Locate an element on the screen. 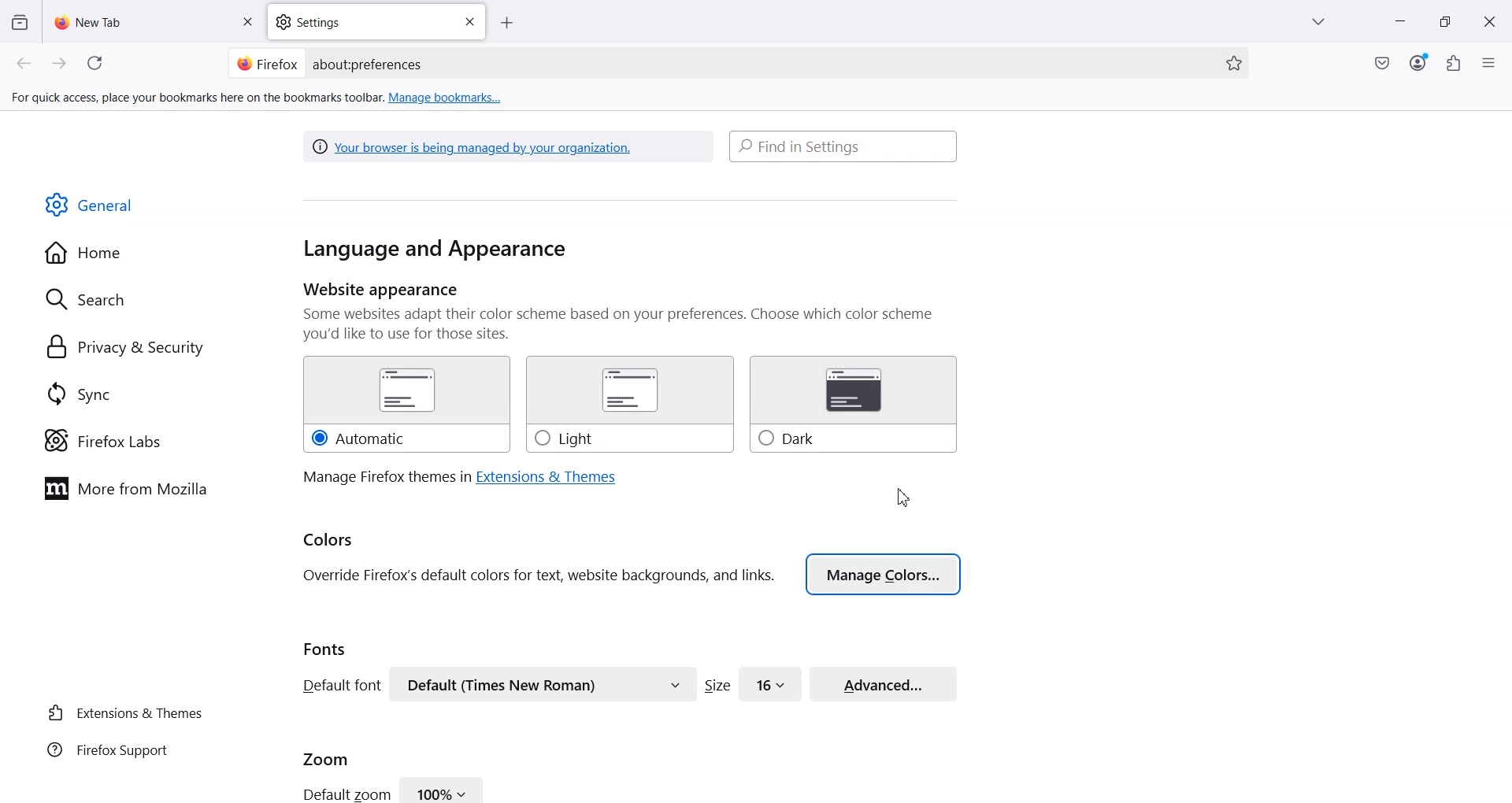  Setting Tab is located at coordinates (378, 22).